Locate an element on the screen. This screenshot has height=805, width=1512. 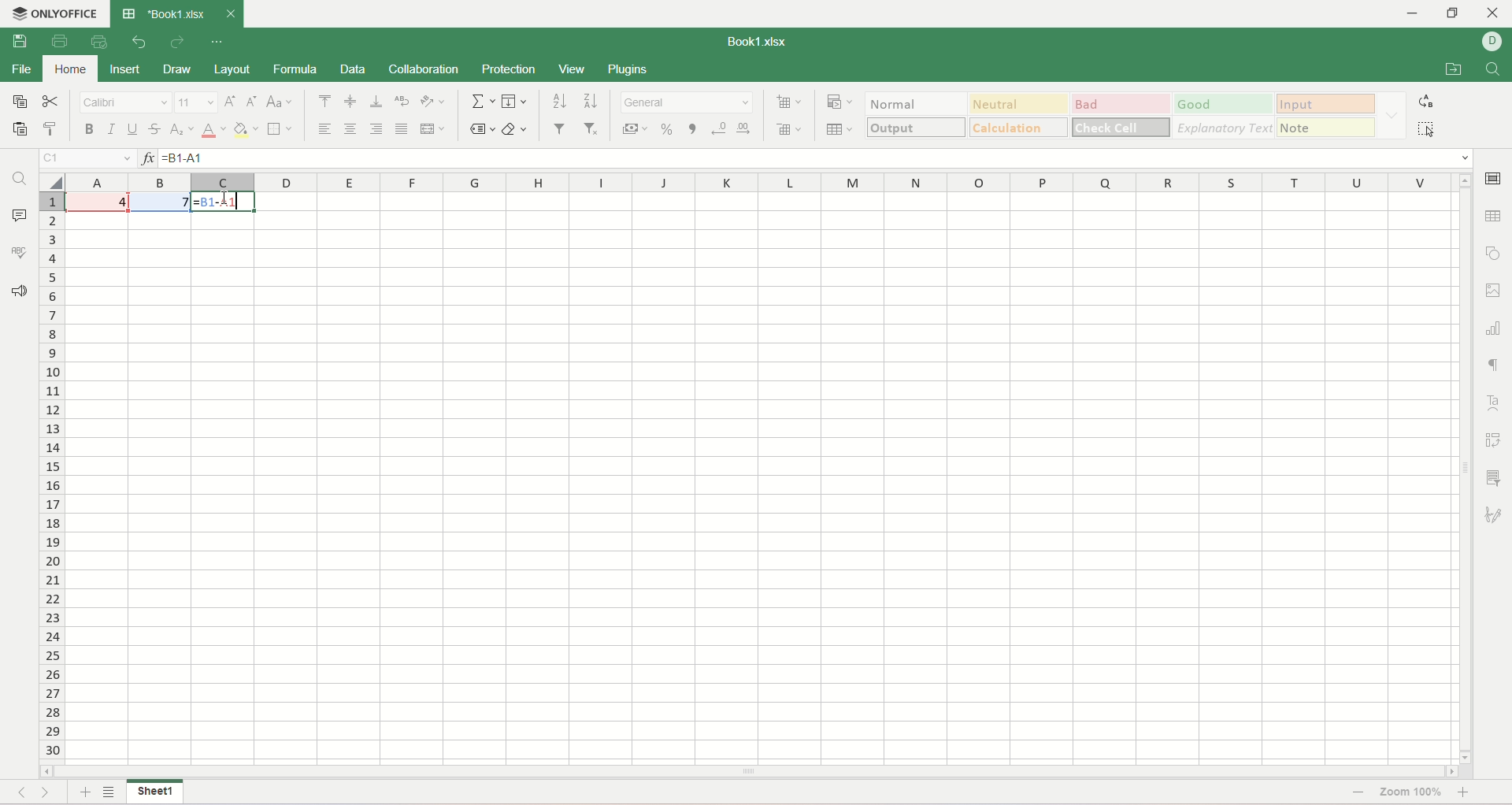
cell settings is located at coordinates (1494, 180).